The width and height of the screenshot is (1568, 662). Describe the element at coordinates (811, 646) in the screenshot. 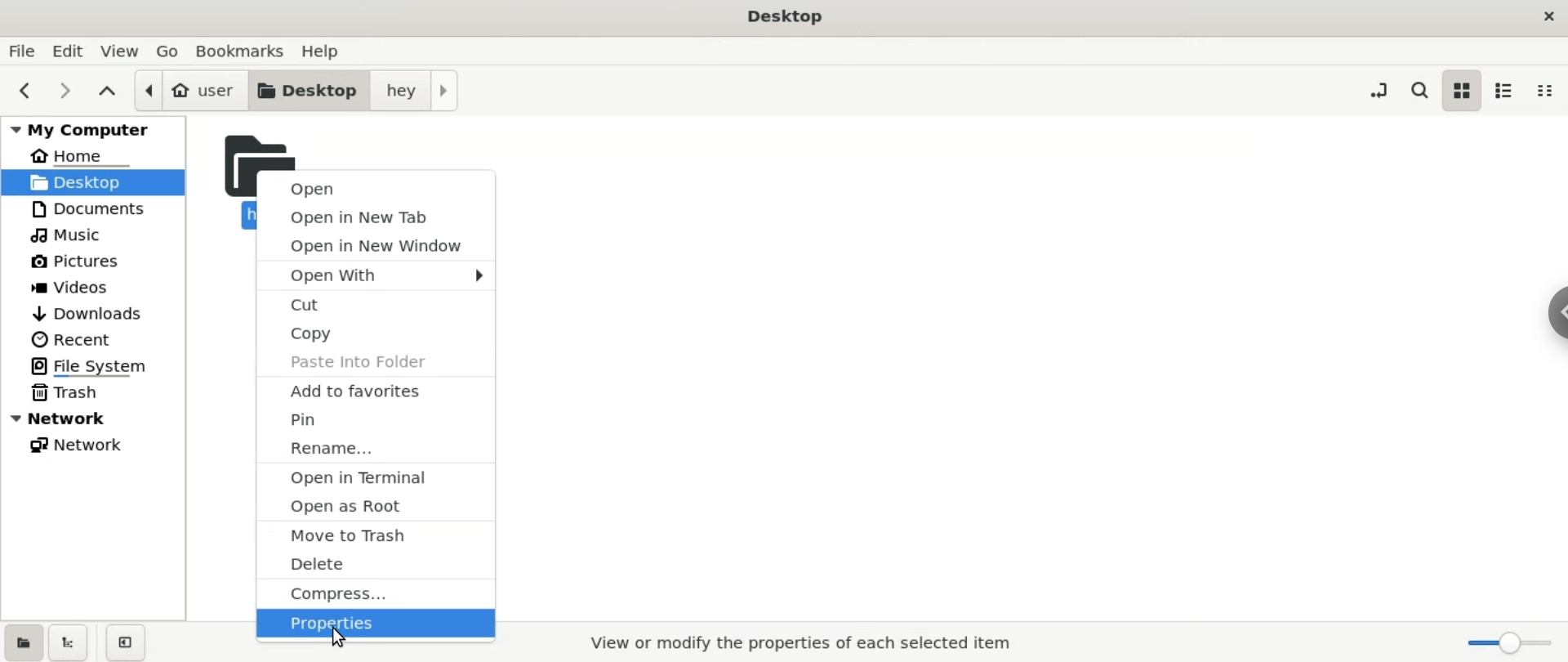

I see `view or modify the properties of each selected item` at that location.